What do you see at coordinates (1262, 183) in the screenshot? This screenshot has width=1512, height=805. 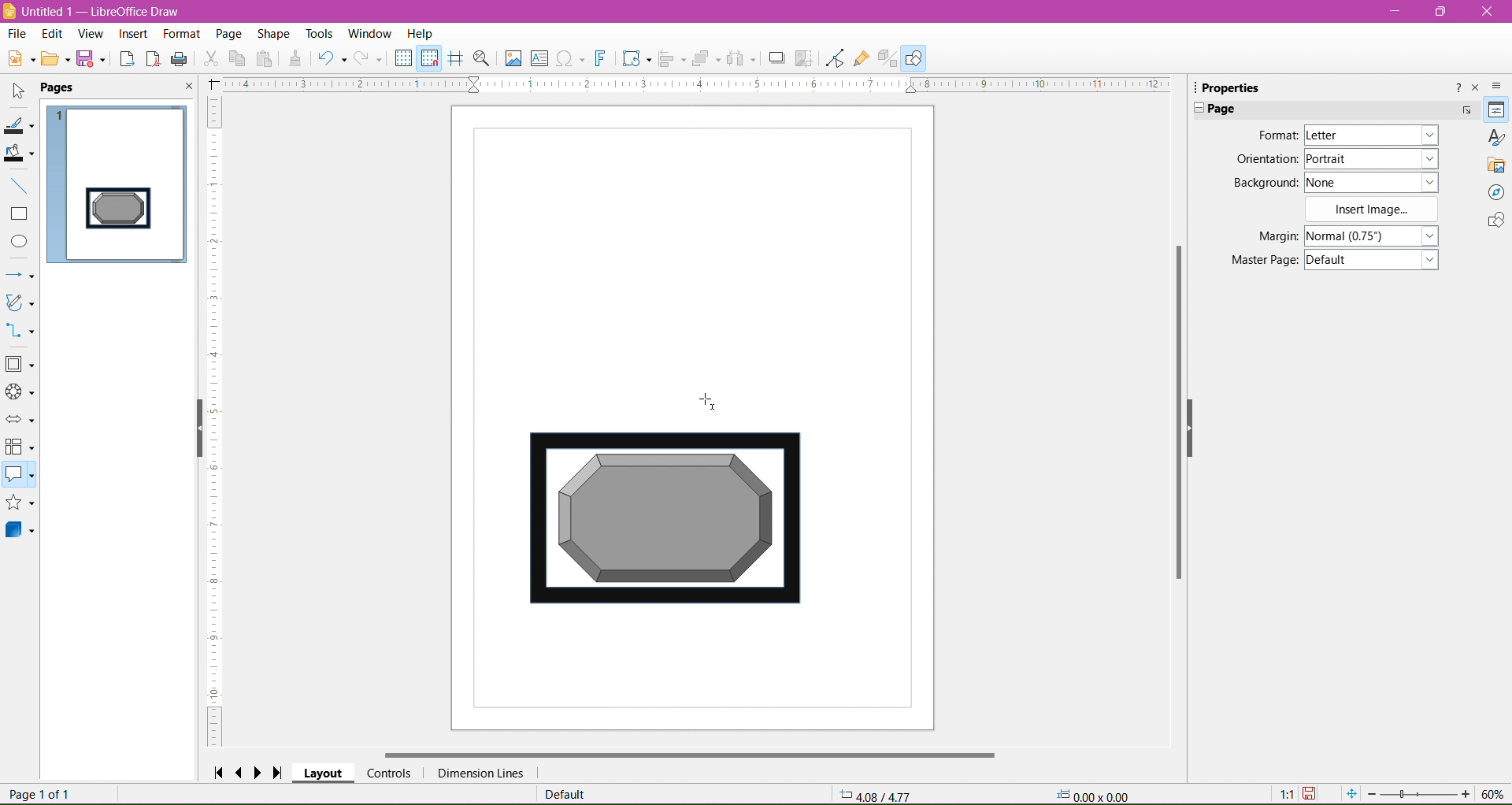 I see `Background` at bounding box center [1262, 183].